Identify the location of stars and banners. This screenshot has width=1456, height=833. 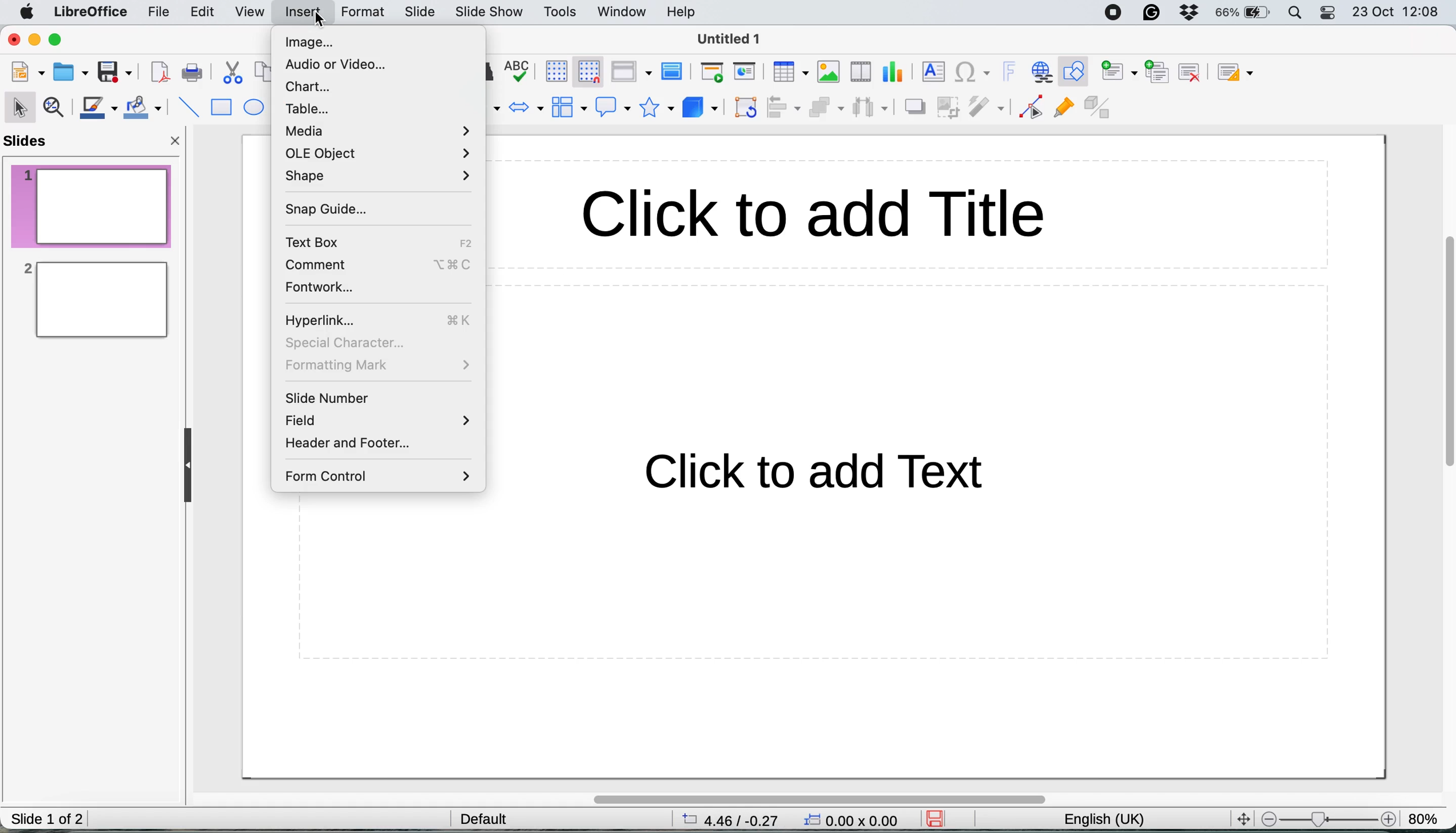
(655, 108).